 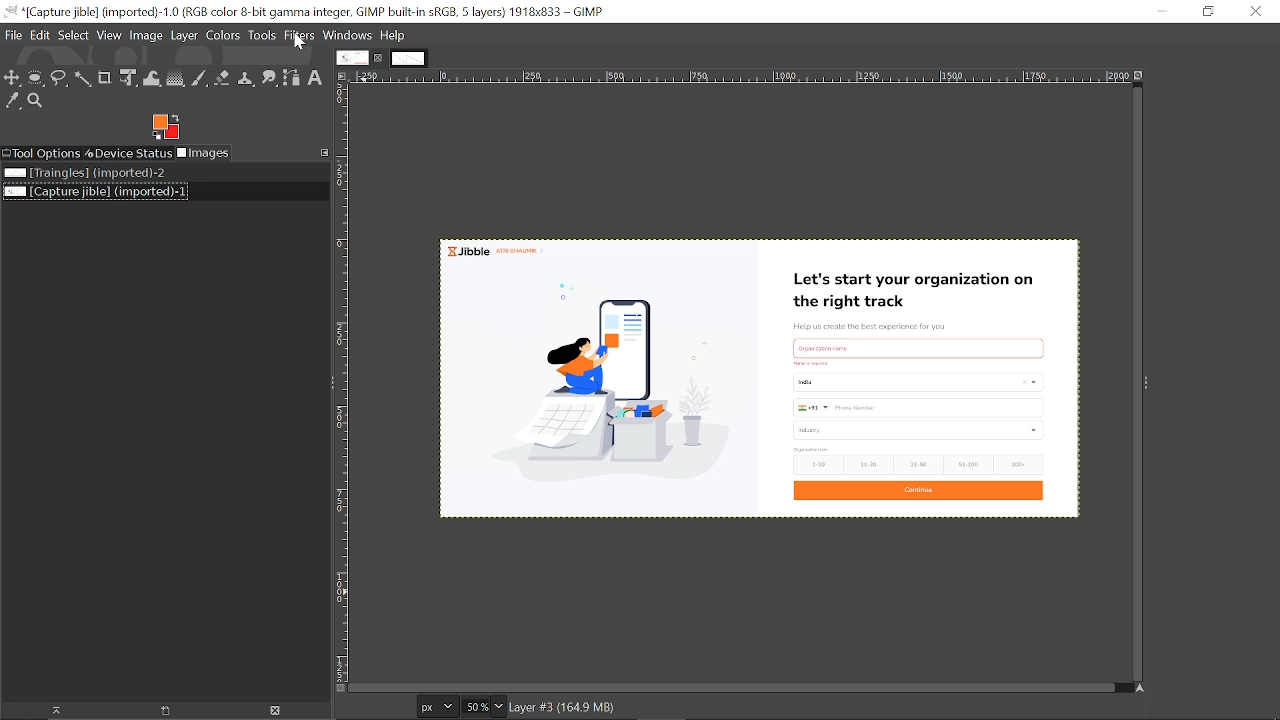 I want to click on Horizontal scrollbar, so click(x=736, y=689).